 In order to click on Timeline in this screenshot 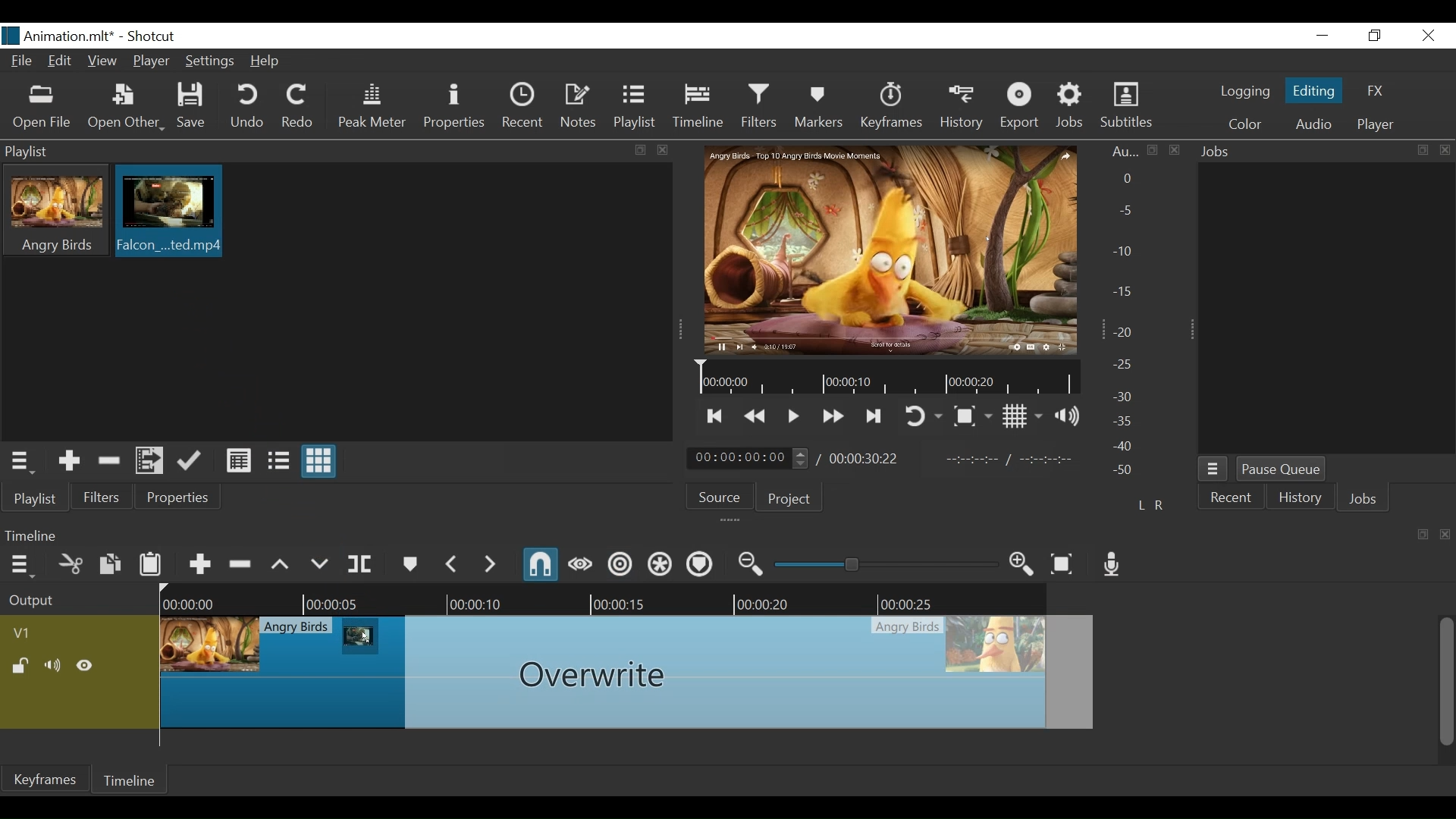, I will do `click(607, 599)`.